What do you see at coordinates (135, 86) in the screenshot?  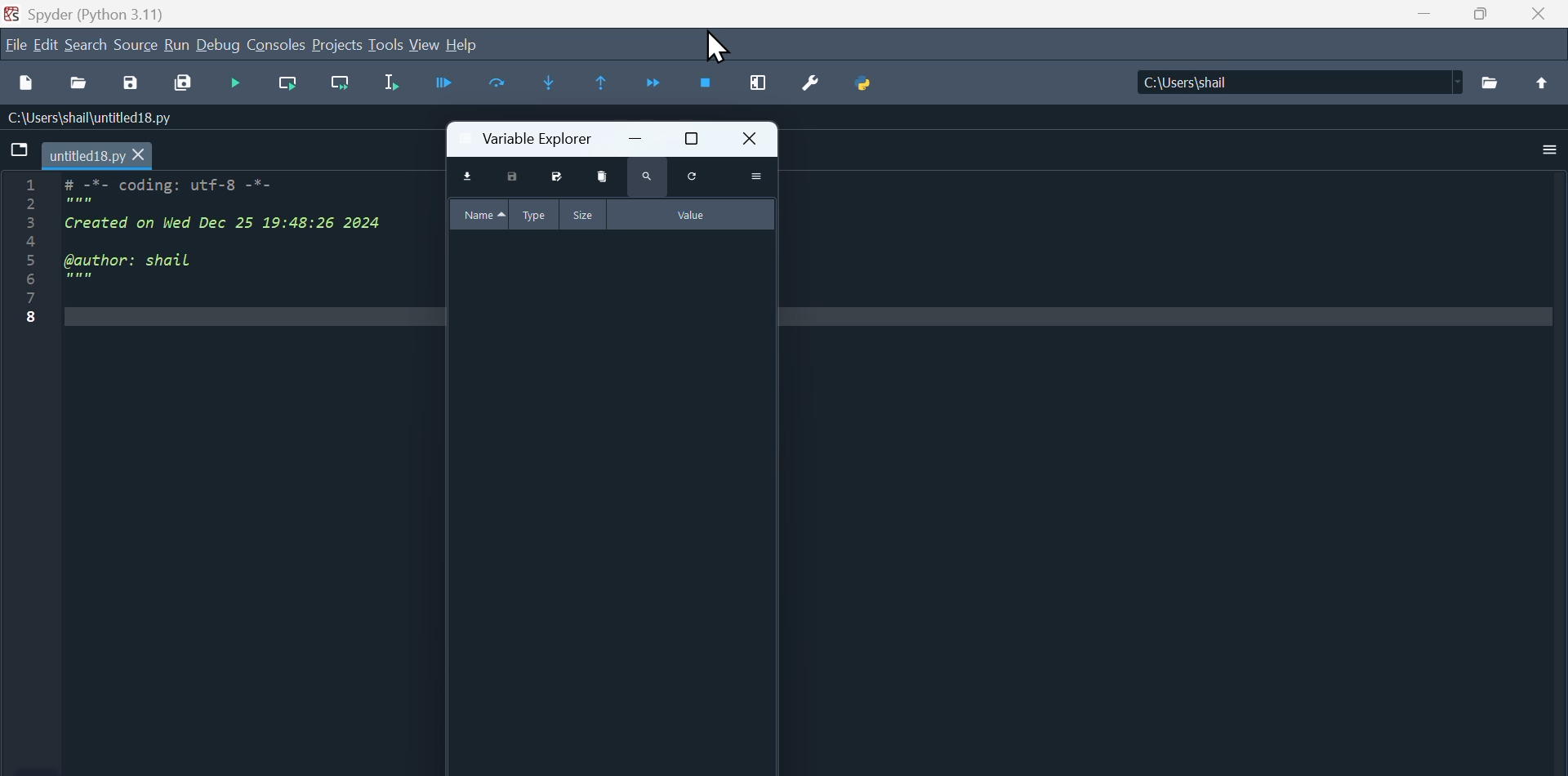 I see `Save` at bounding box center [135, 86].